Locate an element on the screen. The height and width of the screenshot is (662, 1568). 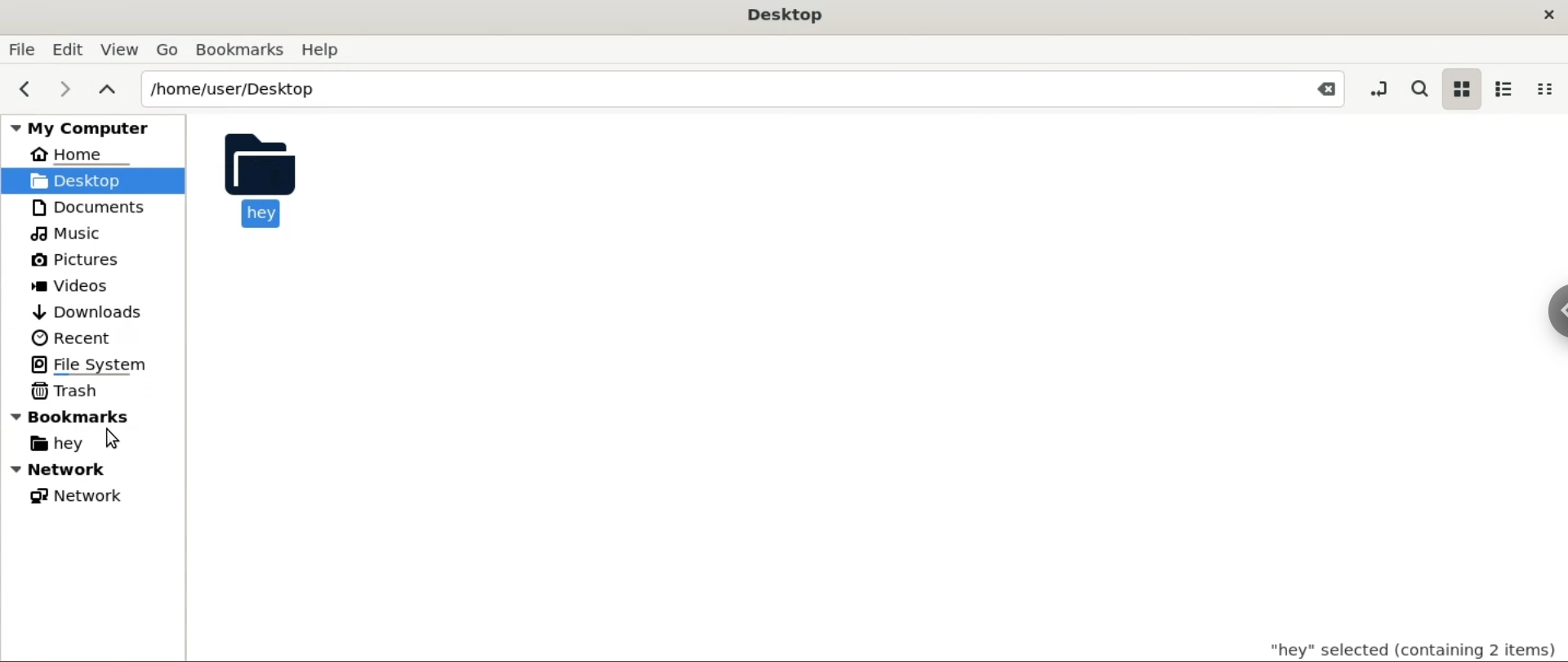
Go  is located at coordinates (167, 49).